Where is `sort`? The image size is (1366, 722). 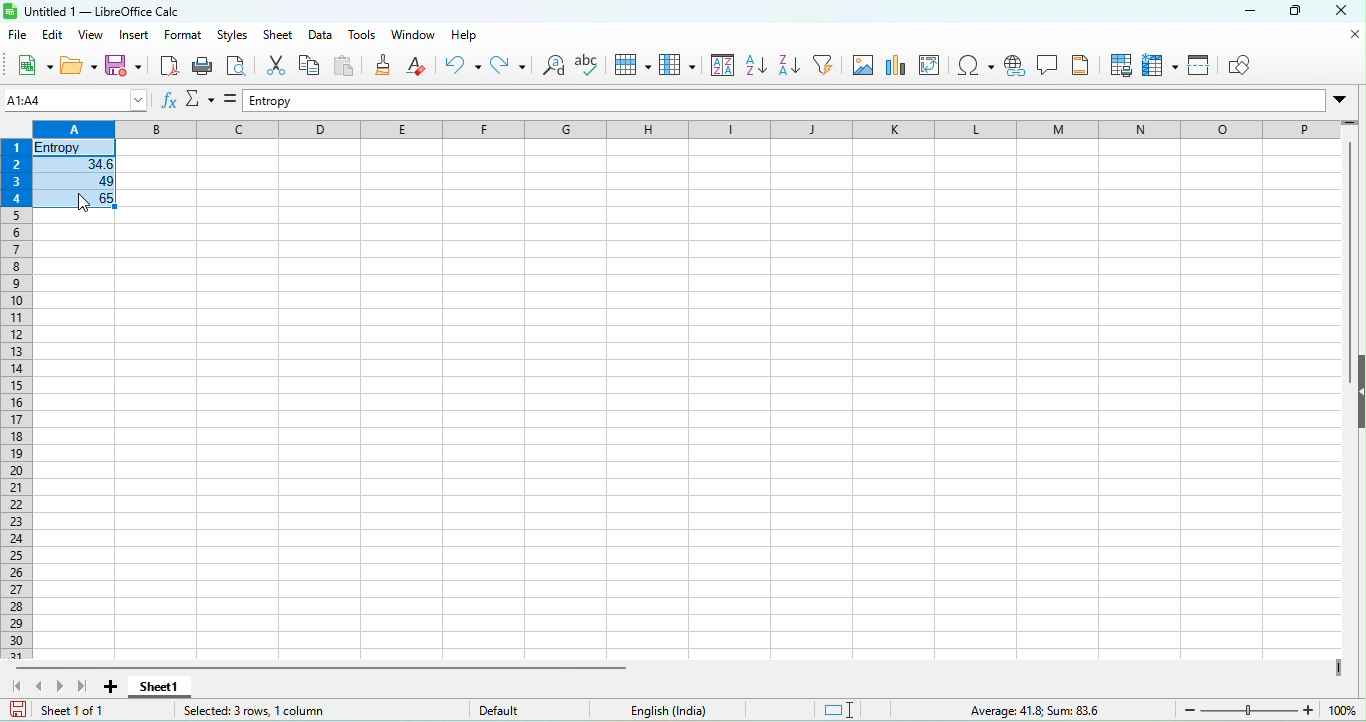 sort is located at coordinates (718, 65).